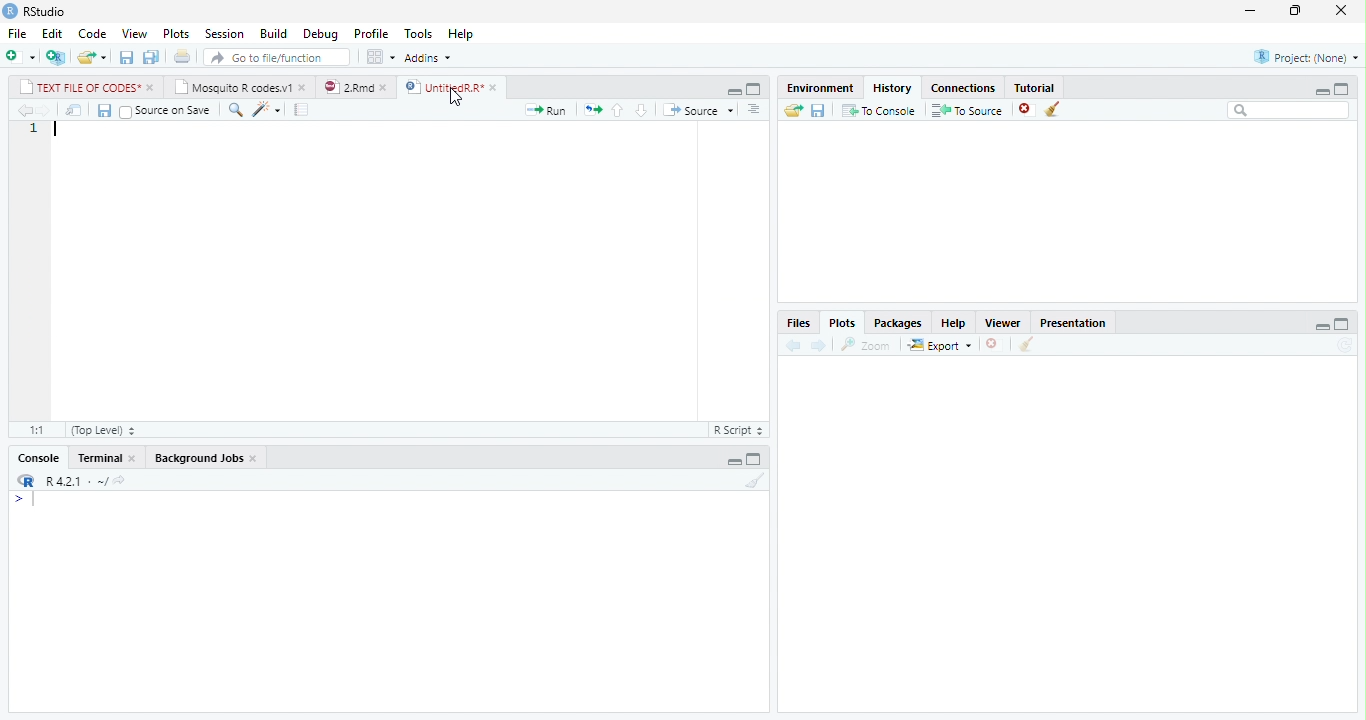  Describe the element at coordinates (1002, 322) in the screenshot. I see `Viewer` at that location.